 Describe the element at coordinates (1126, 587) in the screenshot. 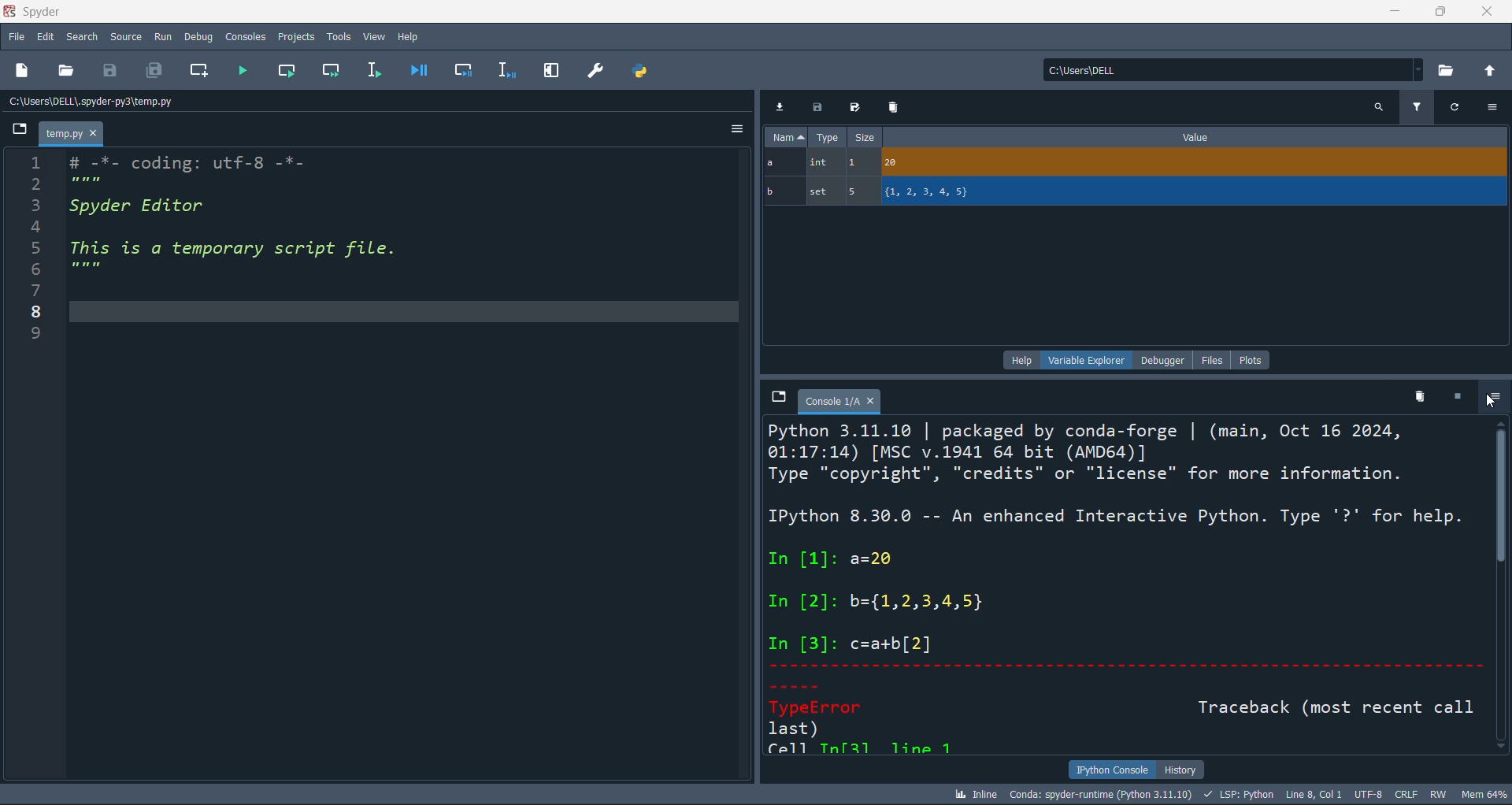

I see `ipython console pane` at that location.